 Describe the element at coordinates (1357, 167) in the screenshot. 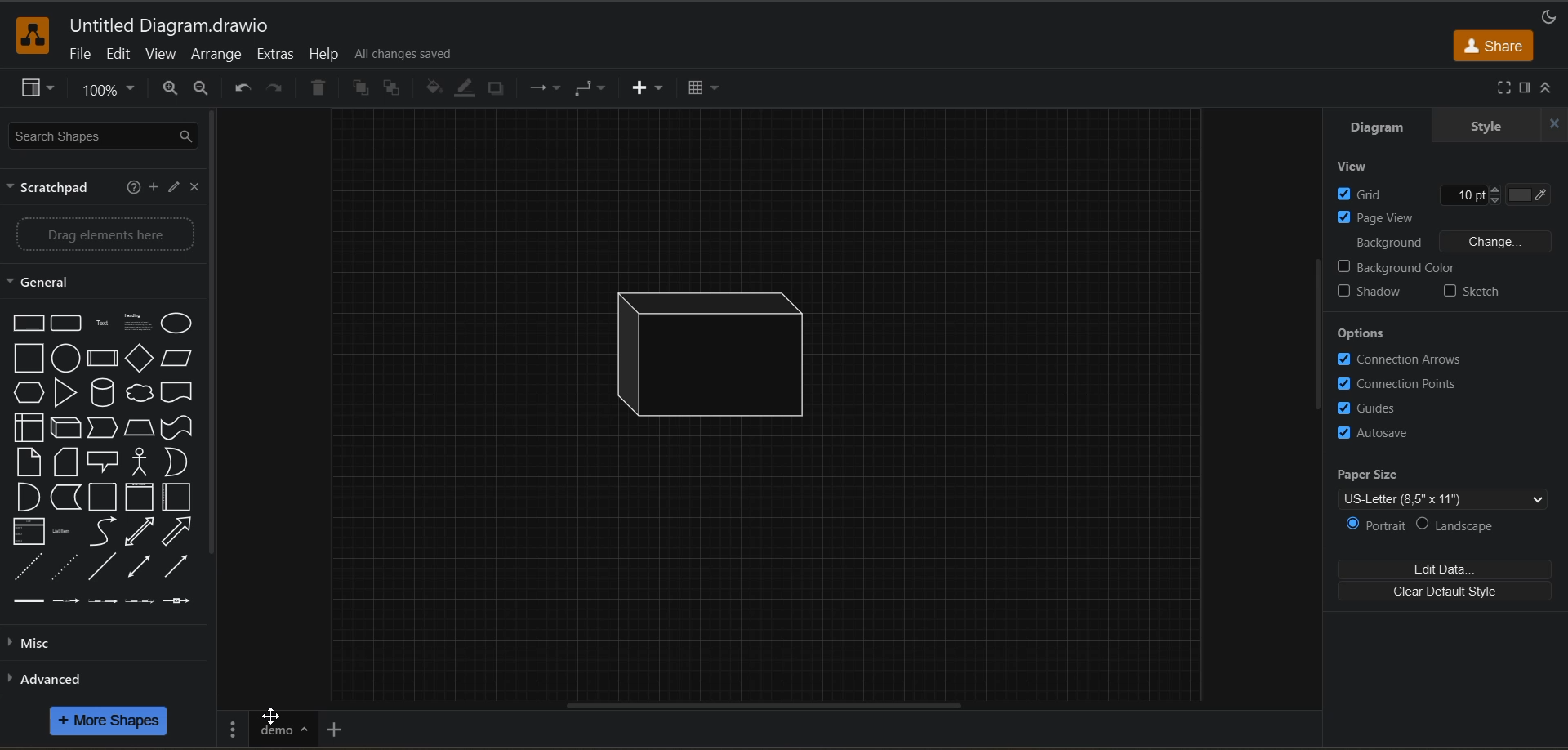

I see `view` at that location.